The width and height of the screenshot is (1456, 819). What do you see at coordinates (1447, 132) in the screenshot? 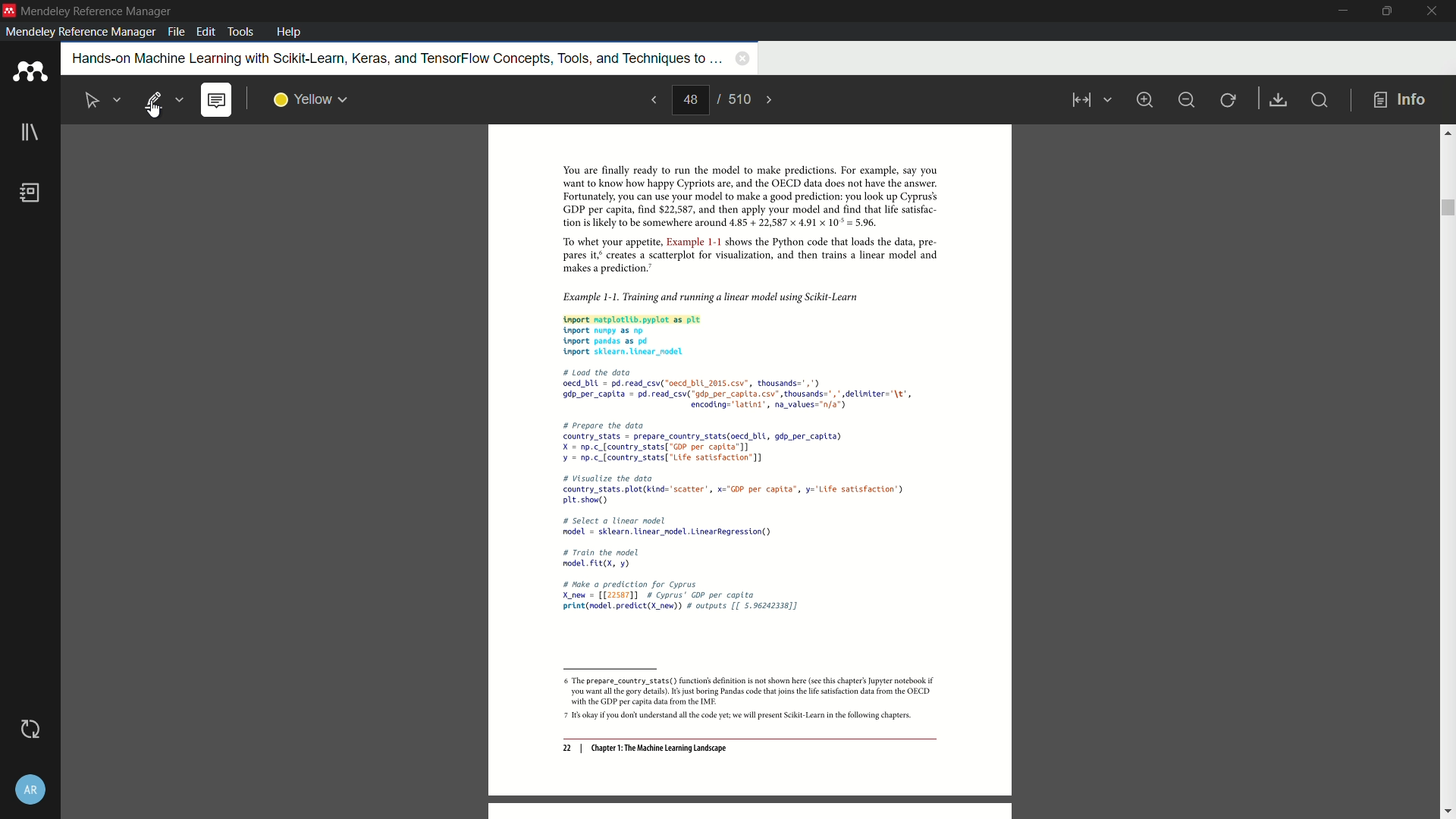
I see `scroll up` at bounding box center [1447, 132].